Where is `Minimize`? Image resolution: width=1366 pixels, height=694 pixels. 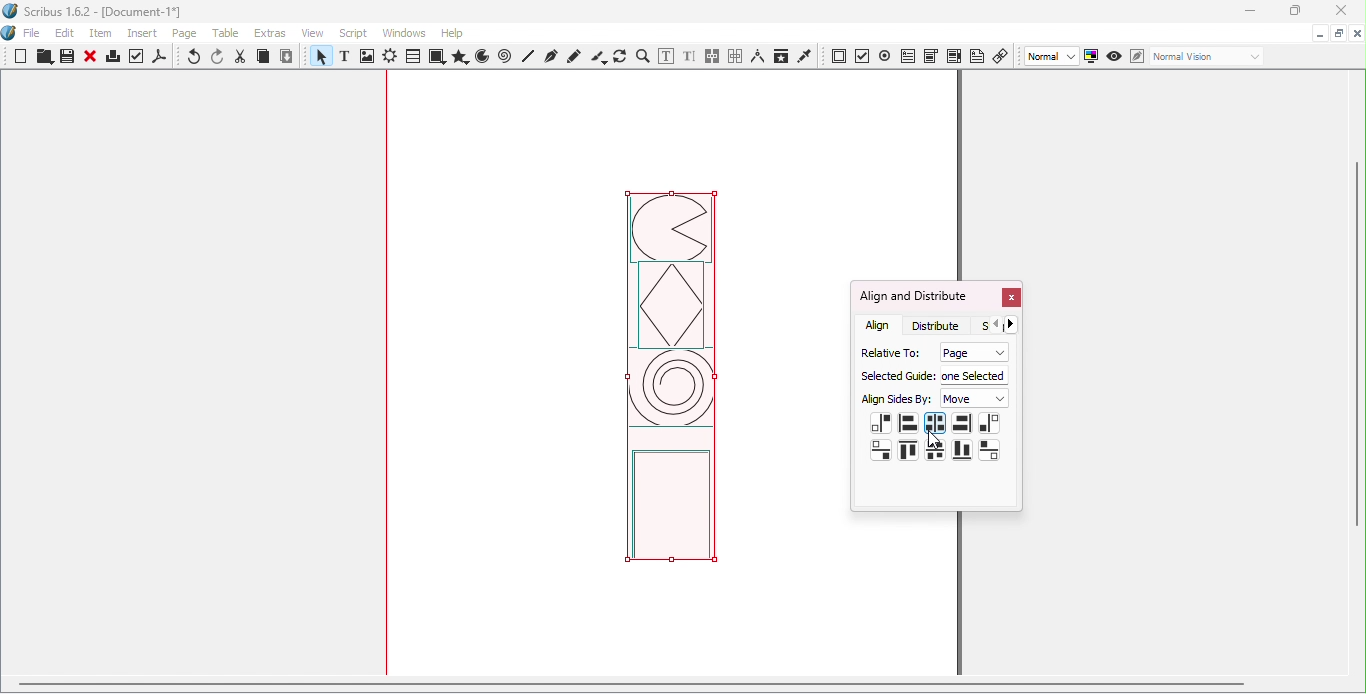 Minimize is located at coordinates (1318, 32).